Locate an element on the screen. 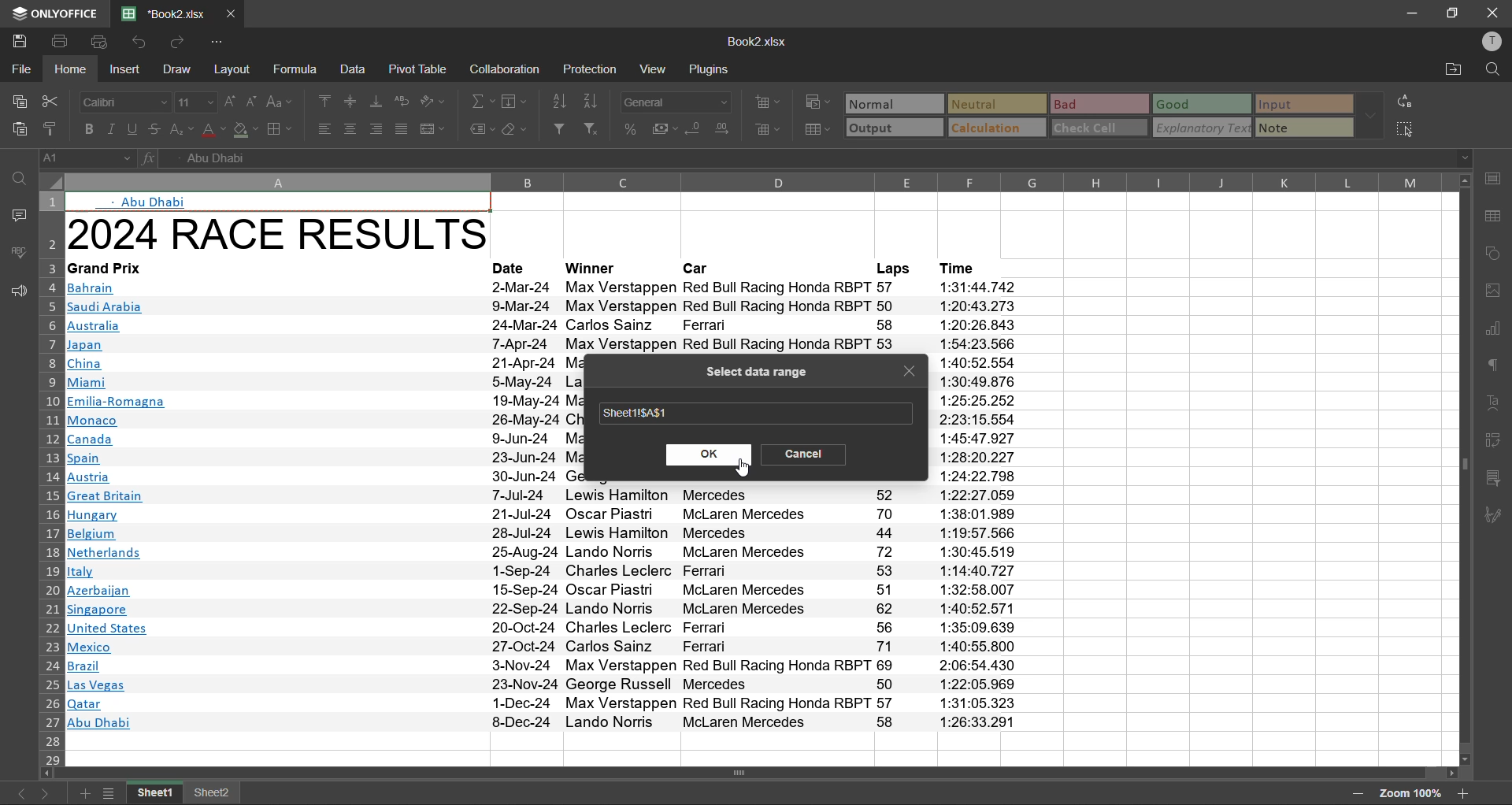  font color is located at coordinates (210, 132).